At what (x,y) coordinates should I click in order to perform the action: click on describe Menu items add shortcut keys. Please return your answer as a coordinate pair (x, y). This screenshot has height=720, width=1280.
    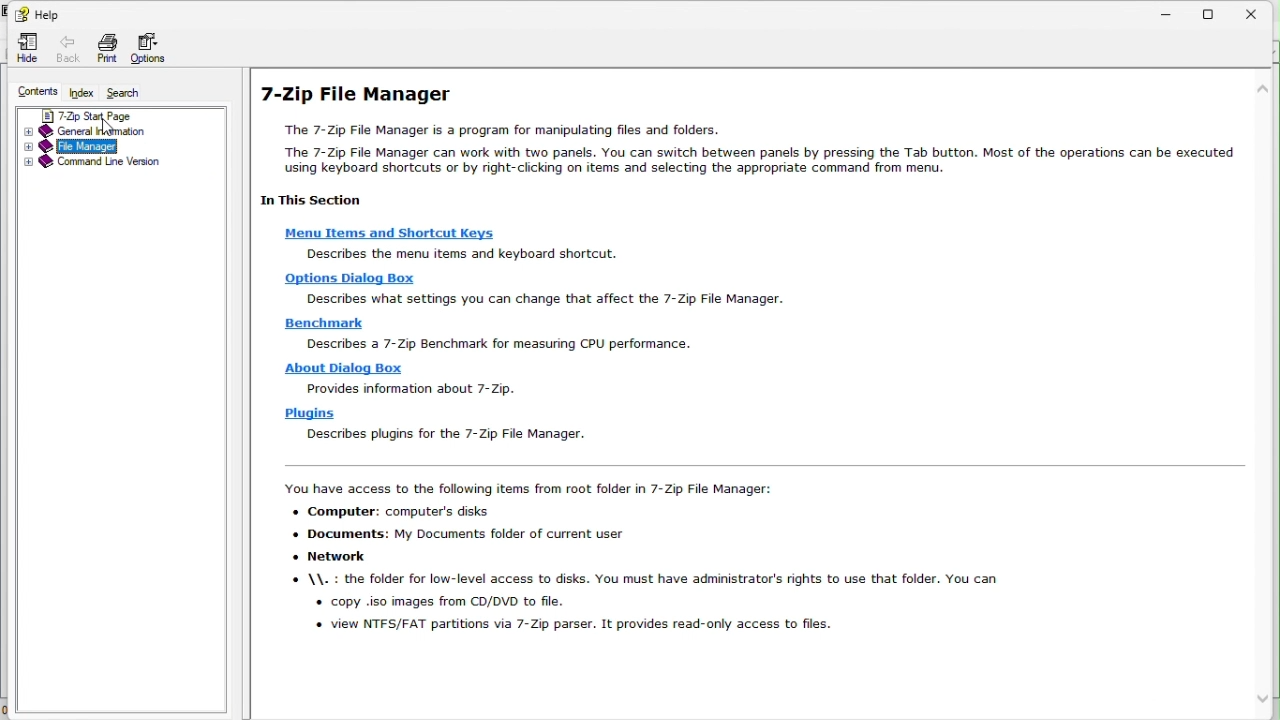
    Looking at the image, I should click on (460, 253).